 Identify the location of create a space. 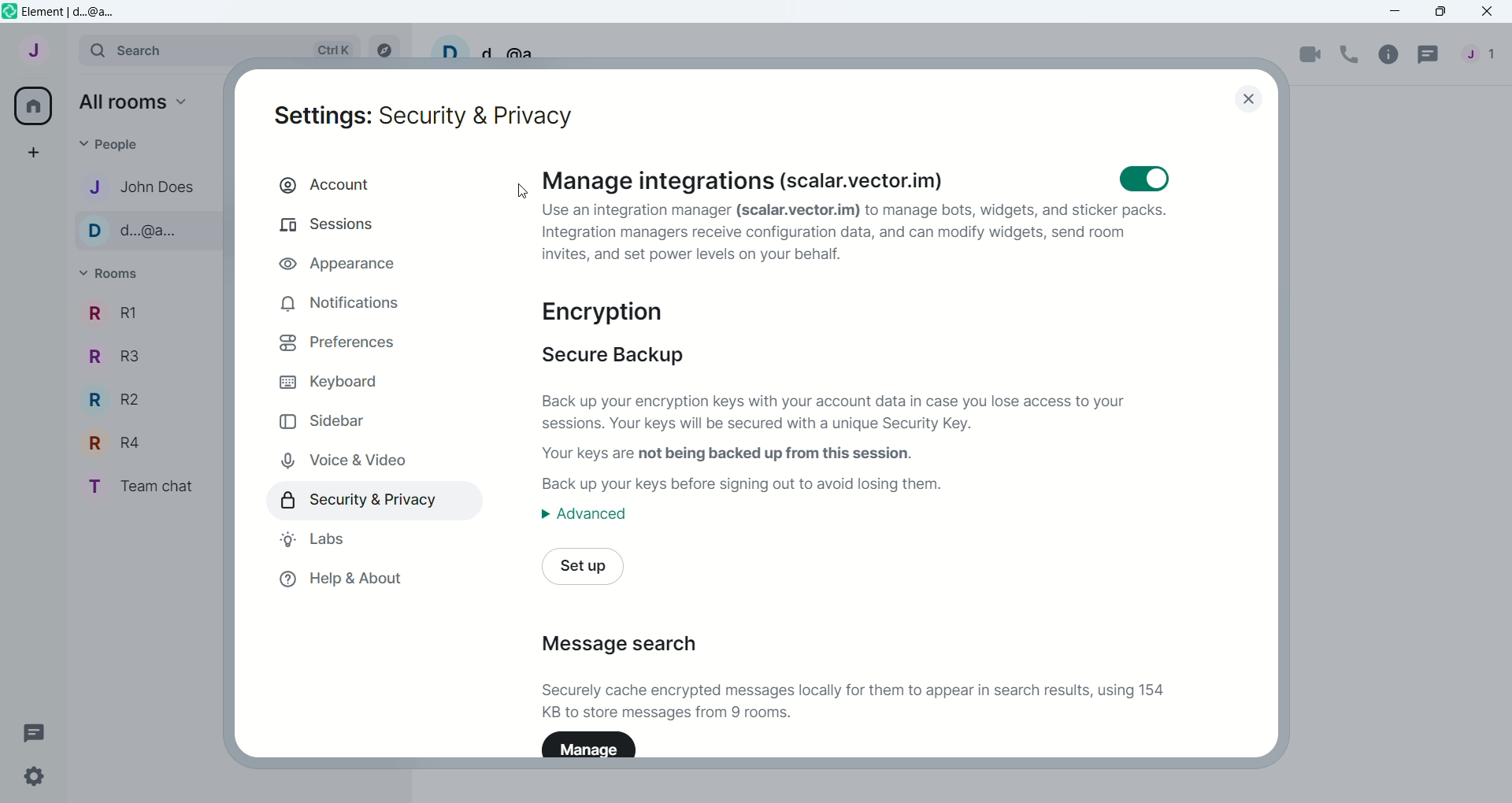
(31, 154).